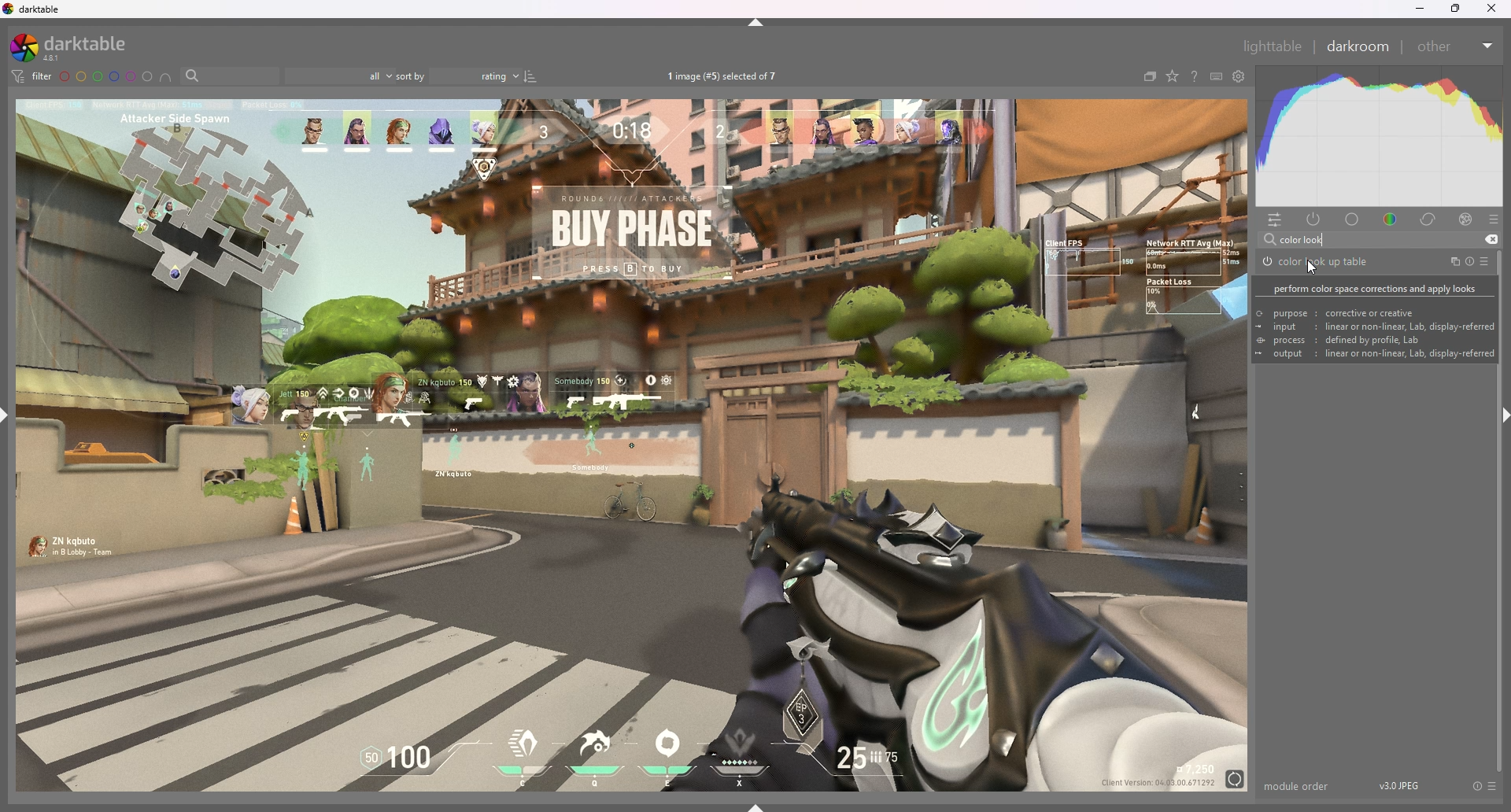 The width and height of the screenshot is (1511, 812). Describe the element at coordinates (227, 76) in the screenshot. I see `search bar` at that location.